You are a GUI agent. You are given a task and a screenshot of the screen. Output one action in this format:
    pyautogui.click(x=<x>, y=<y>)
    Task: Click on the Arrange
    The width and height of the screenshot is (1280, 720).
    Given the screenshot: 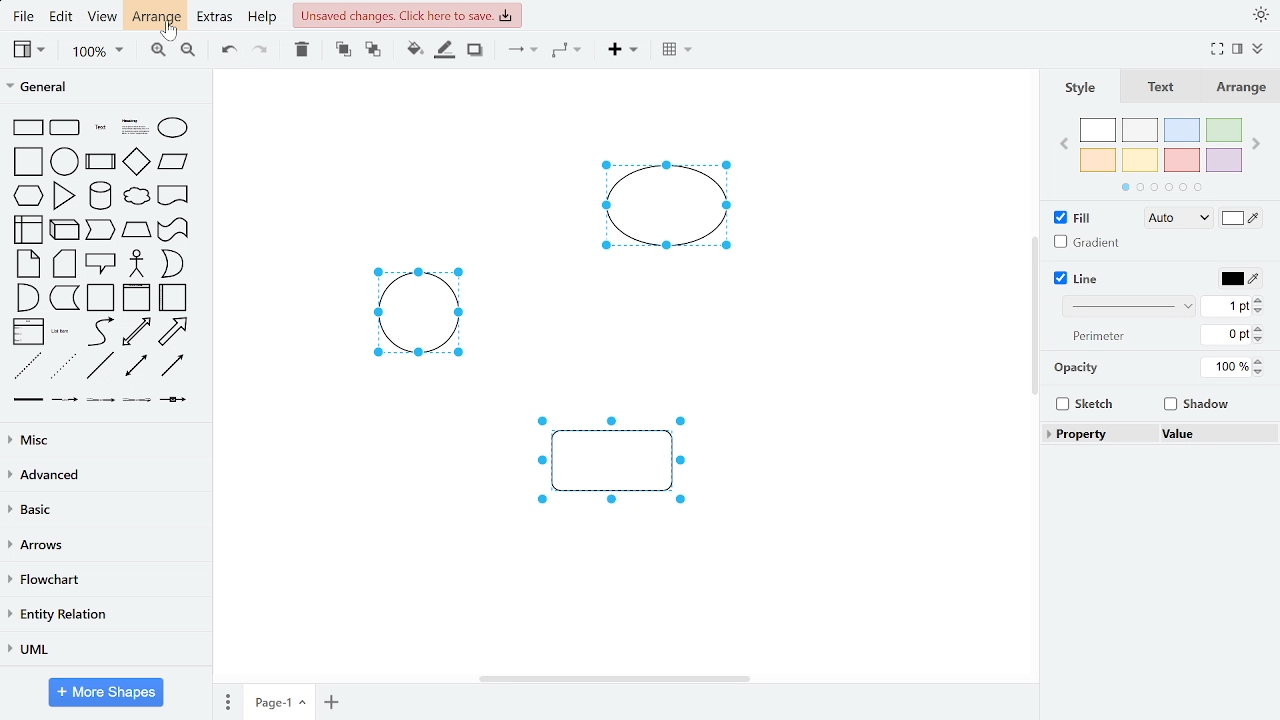 What is the action you would take?
    pyautogui.click(x=1237, y=86)
    